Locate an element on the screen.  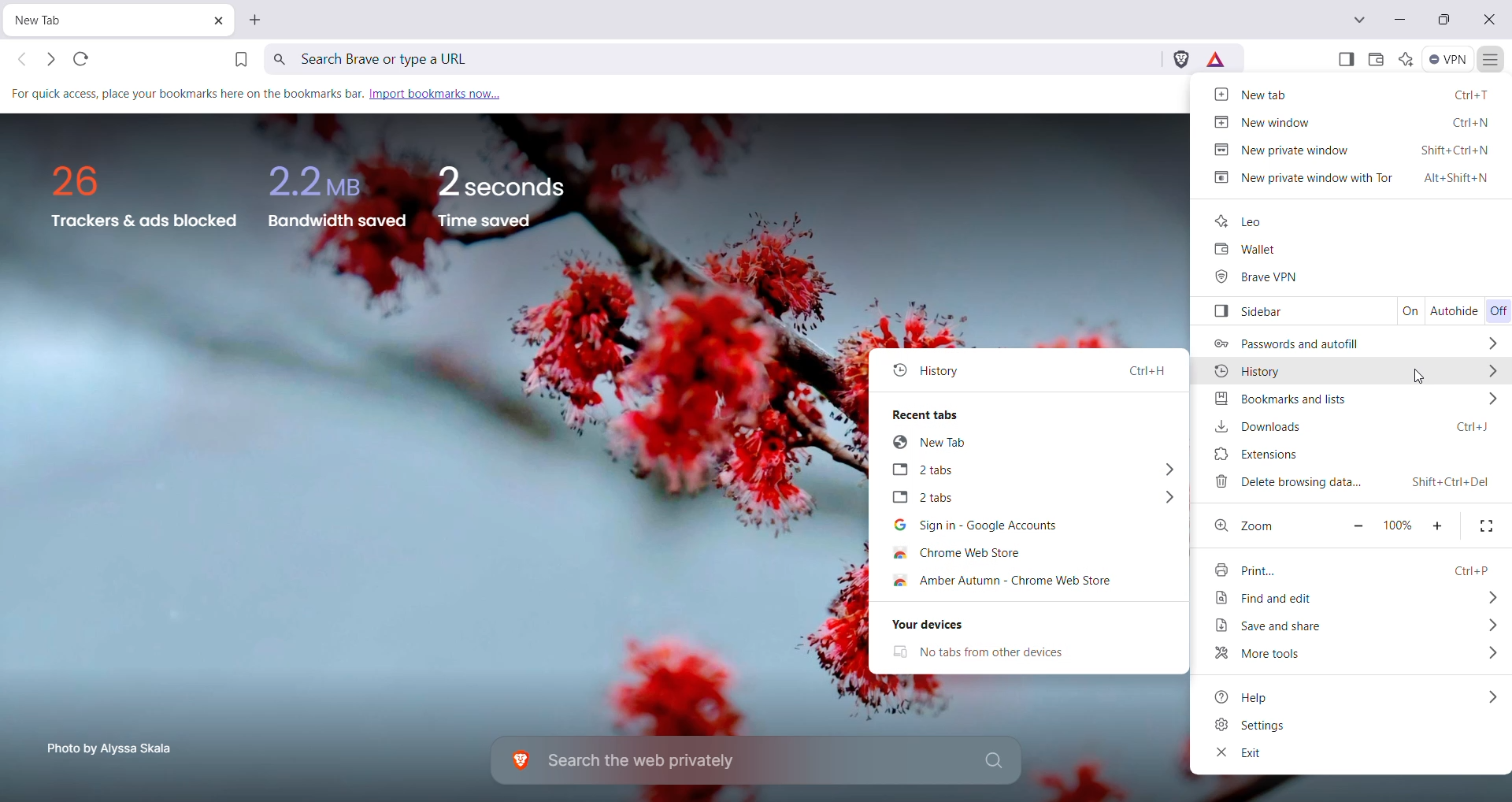
On is located at coordinates (1409, 312).